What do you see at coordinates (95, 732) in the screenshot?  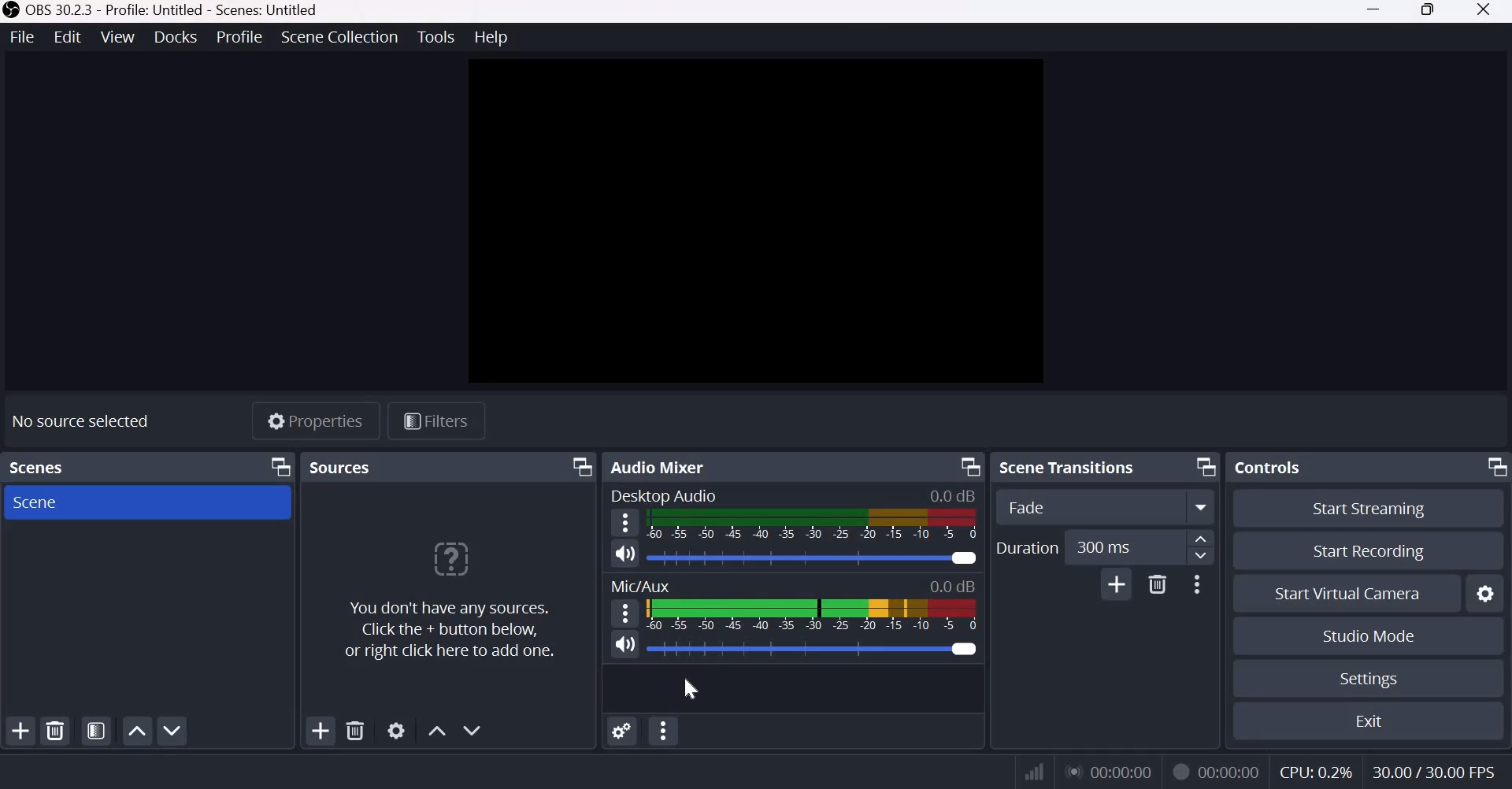 I see `Open scene filters` at bounding box center [95, 732].